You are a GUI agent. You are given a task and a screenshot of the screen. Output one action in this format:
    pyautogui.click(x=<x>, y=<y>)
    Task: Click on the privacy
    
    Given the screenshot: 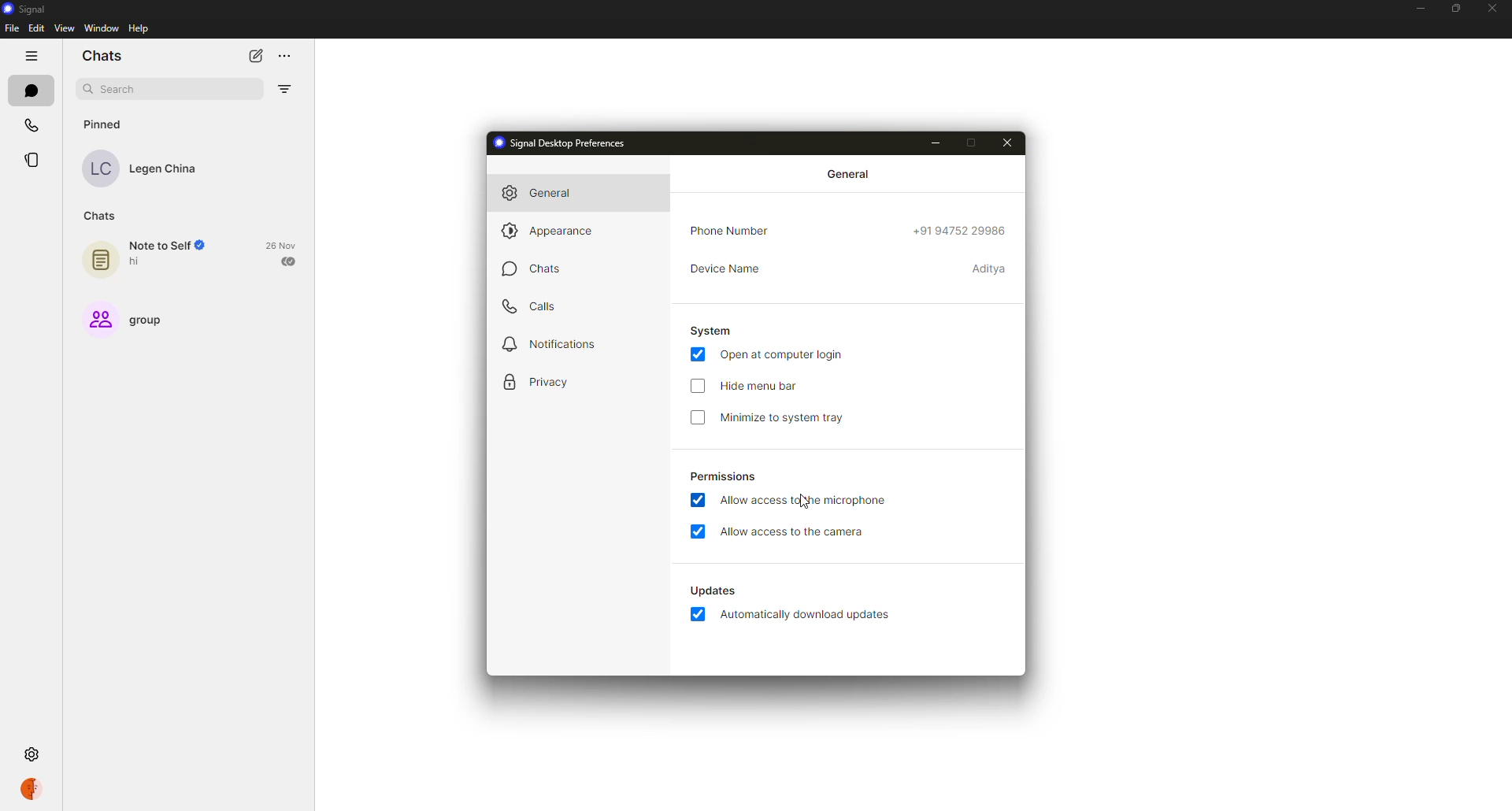 What is the action you would take?
    pyautogui.click(x=534, y=380)
    